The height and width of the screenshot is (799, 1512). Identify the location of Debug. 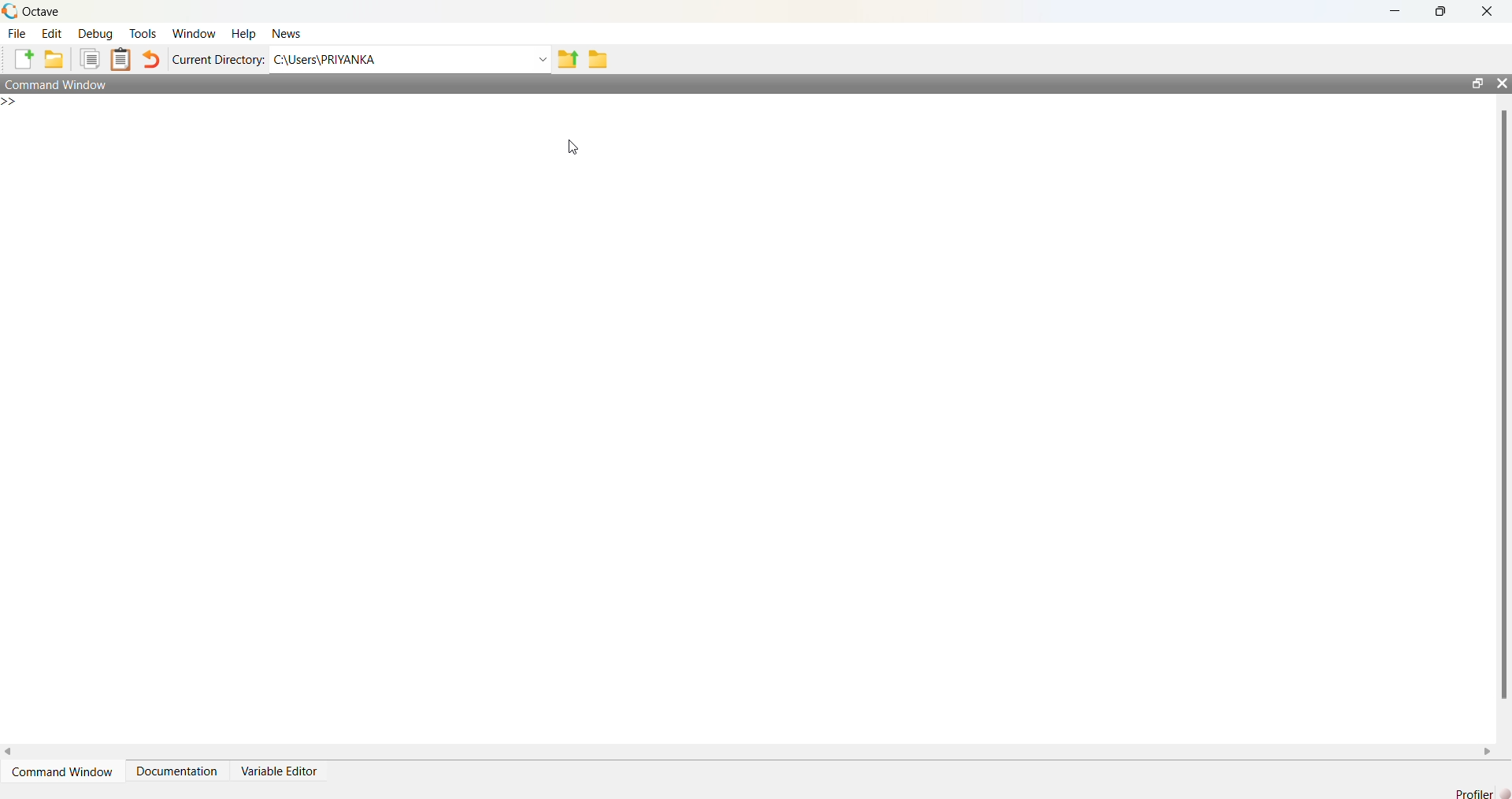
(95, 33).